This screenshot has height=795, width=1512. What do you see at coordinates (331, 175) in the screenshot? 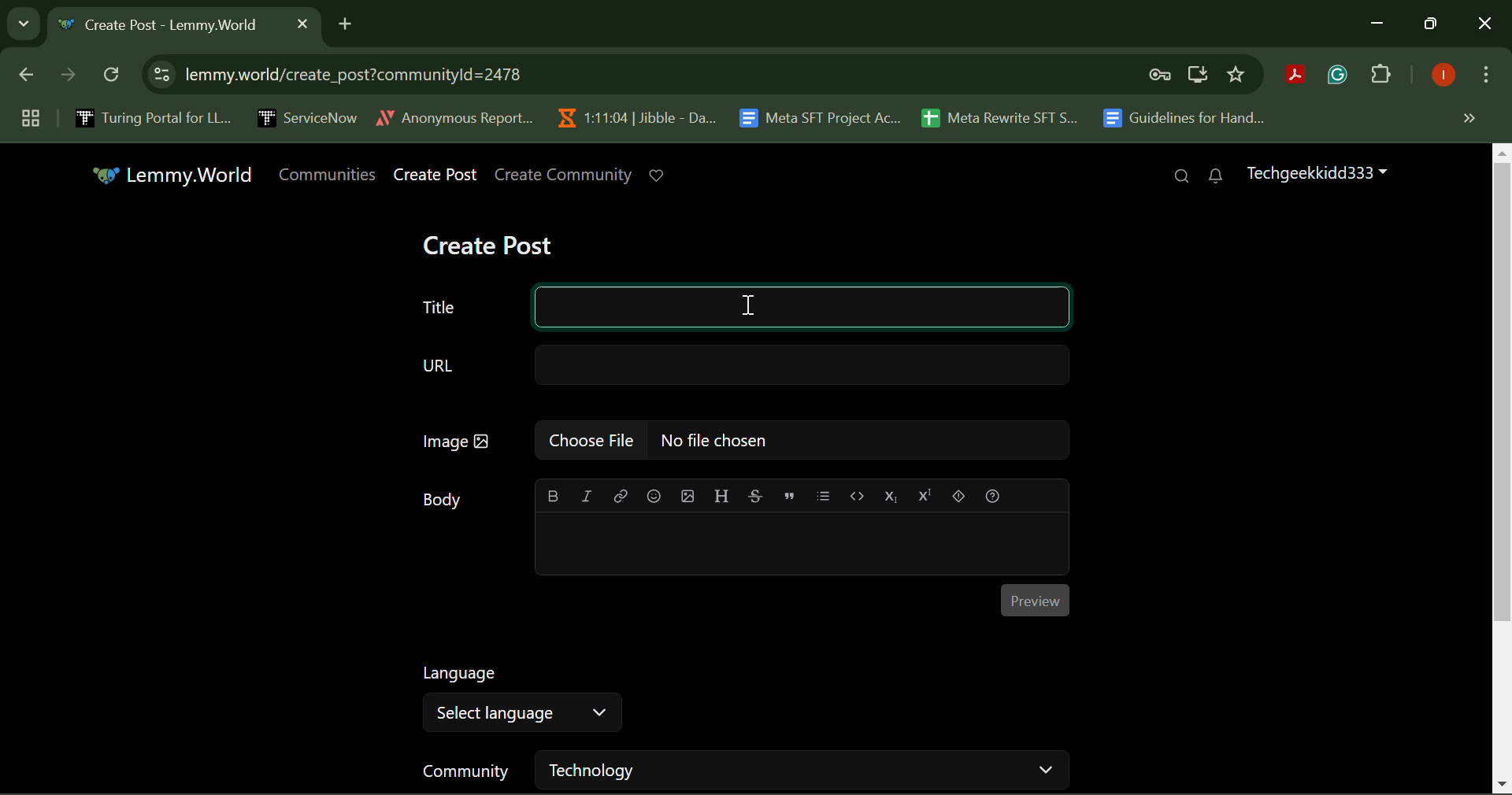
I see `Communities` at bounding box center [331, 175].